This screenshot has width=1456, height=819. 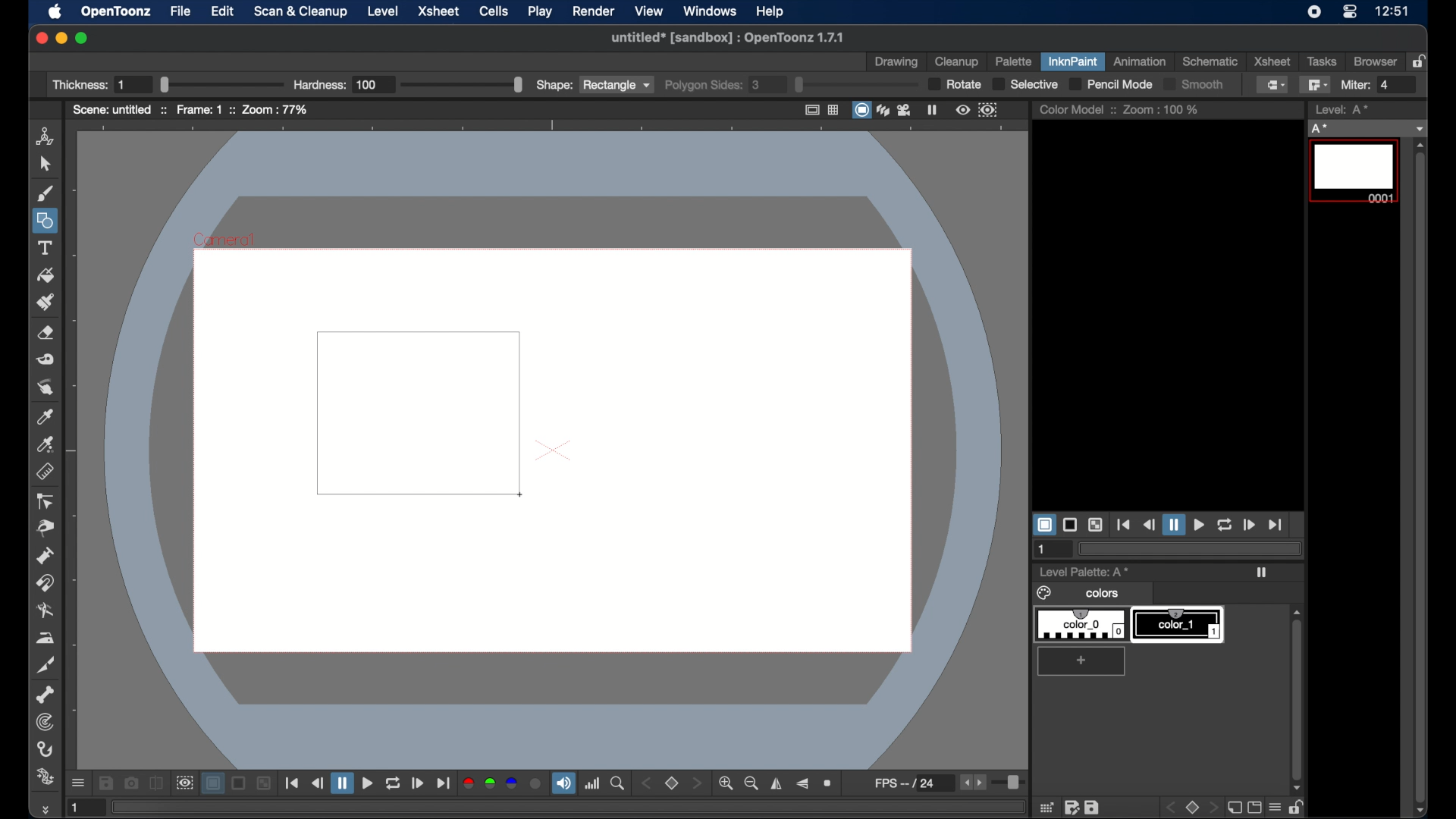 I want to click on checkered background, so click(x=1095, y=526).